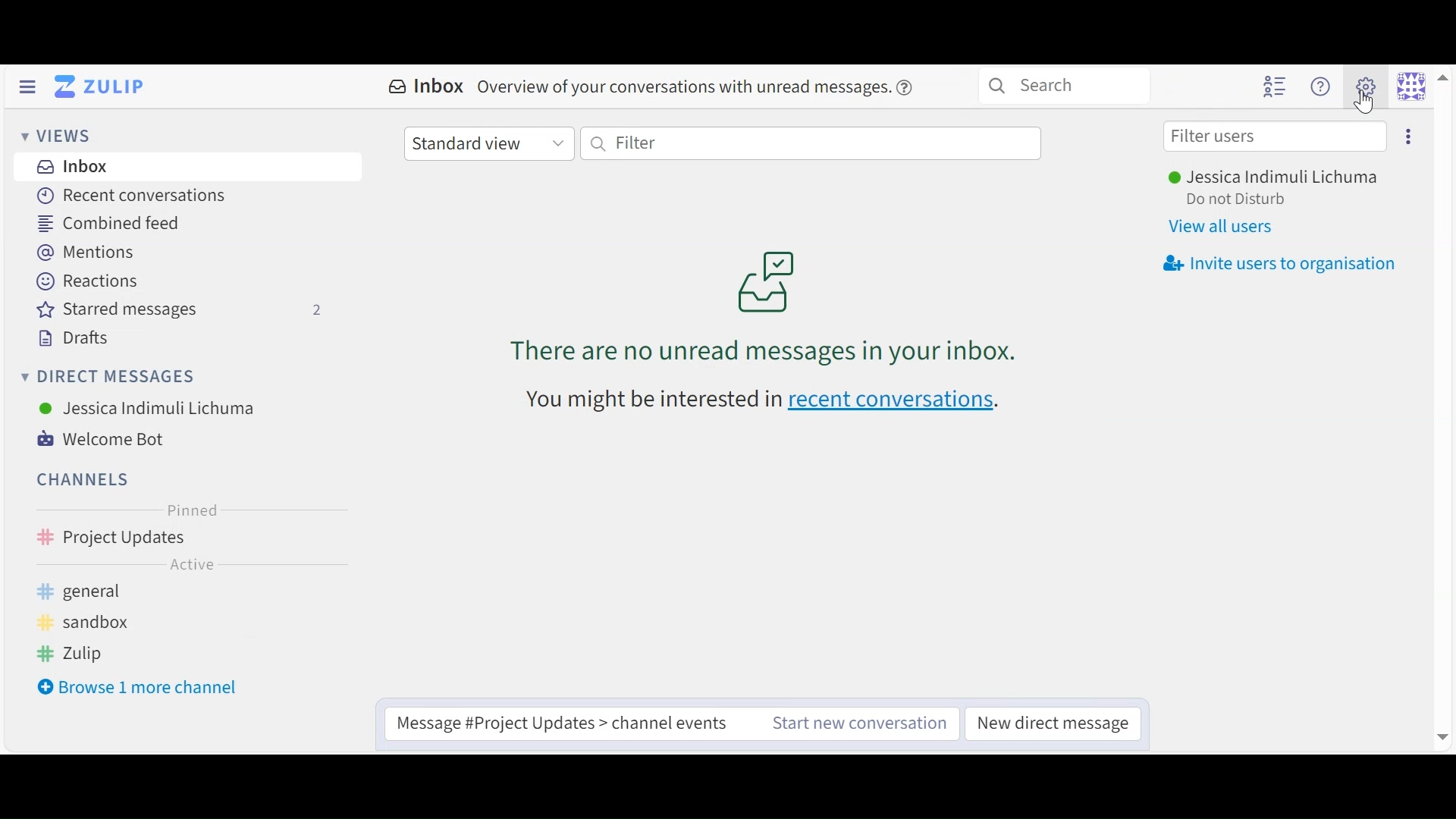 Image resolution: width=1456 pixels, height=819 pixels. What do you see at coordinates (189, 567) in the screenshot?
I see `Active` at bounding box center [189, 567].